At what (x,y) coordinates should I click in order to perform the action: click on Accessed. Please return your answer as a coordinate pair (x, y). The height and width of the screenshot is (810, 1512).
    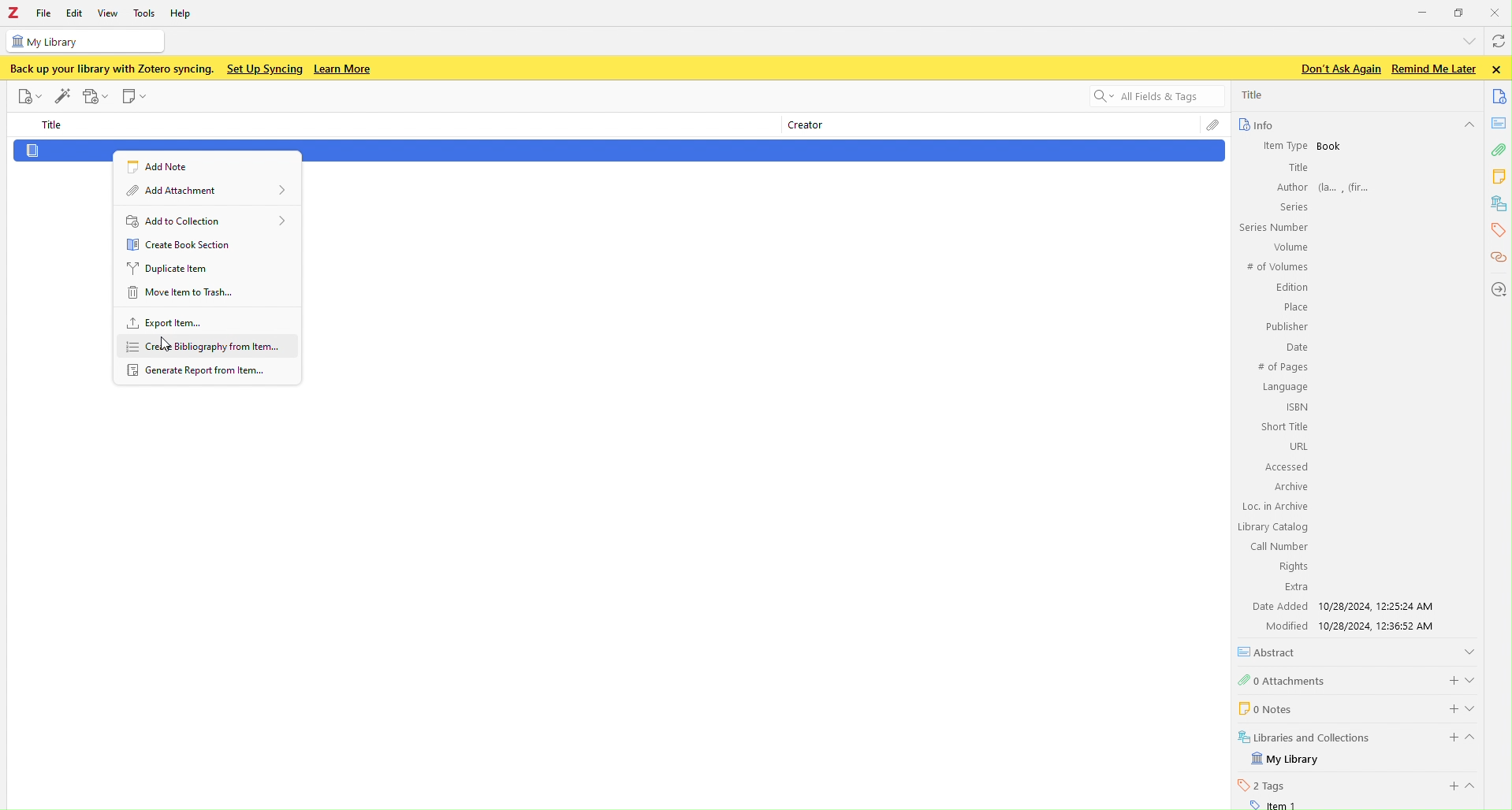
    Looking at the image, I should click on (1286, 467).